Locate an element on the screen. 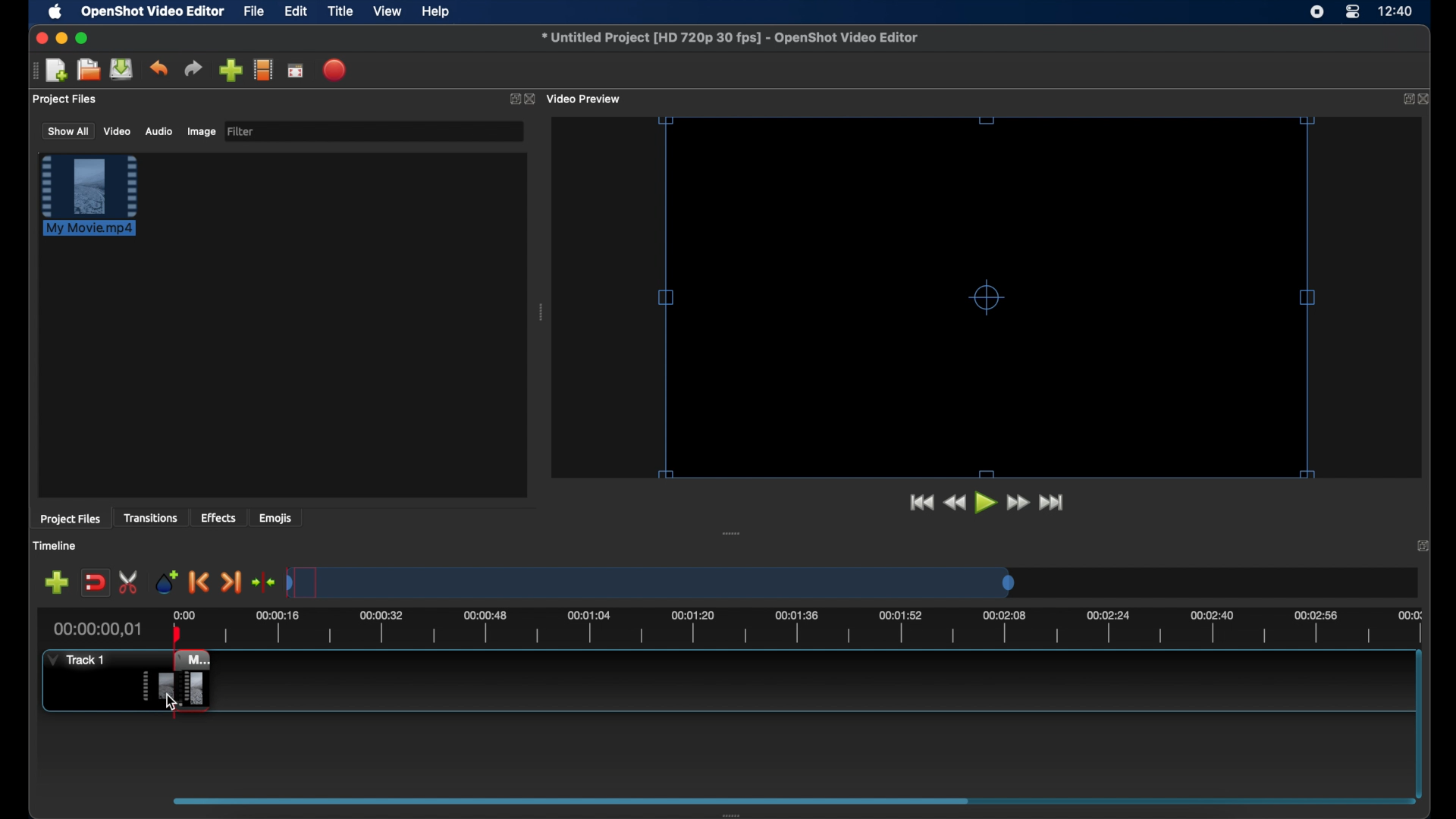 The width and height of the screenshot is (1456, 819). open project is located at coordinates (88, 70).